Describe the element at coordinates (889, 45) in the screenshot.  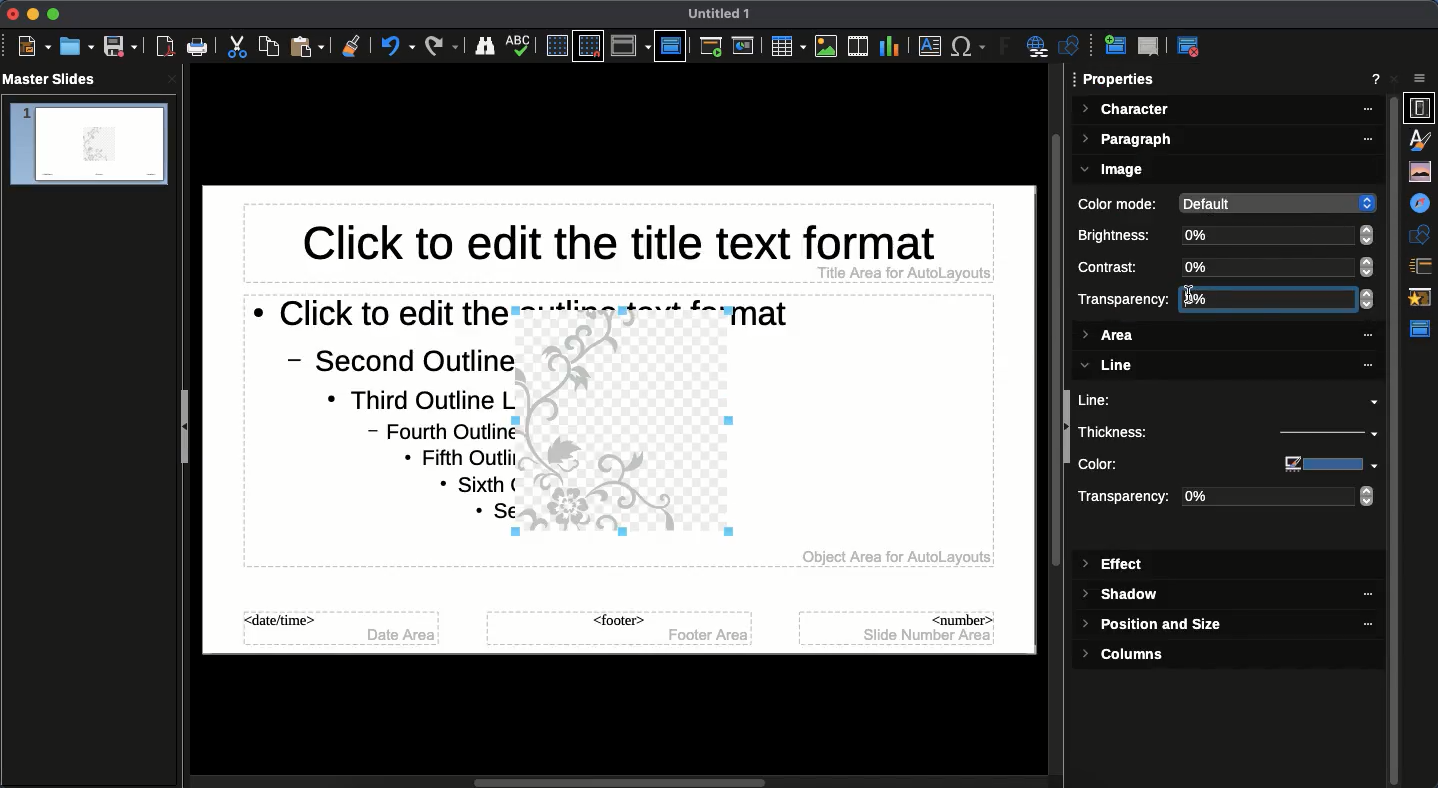
I see `Chart` at that location.